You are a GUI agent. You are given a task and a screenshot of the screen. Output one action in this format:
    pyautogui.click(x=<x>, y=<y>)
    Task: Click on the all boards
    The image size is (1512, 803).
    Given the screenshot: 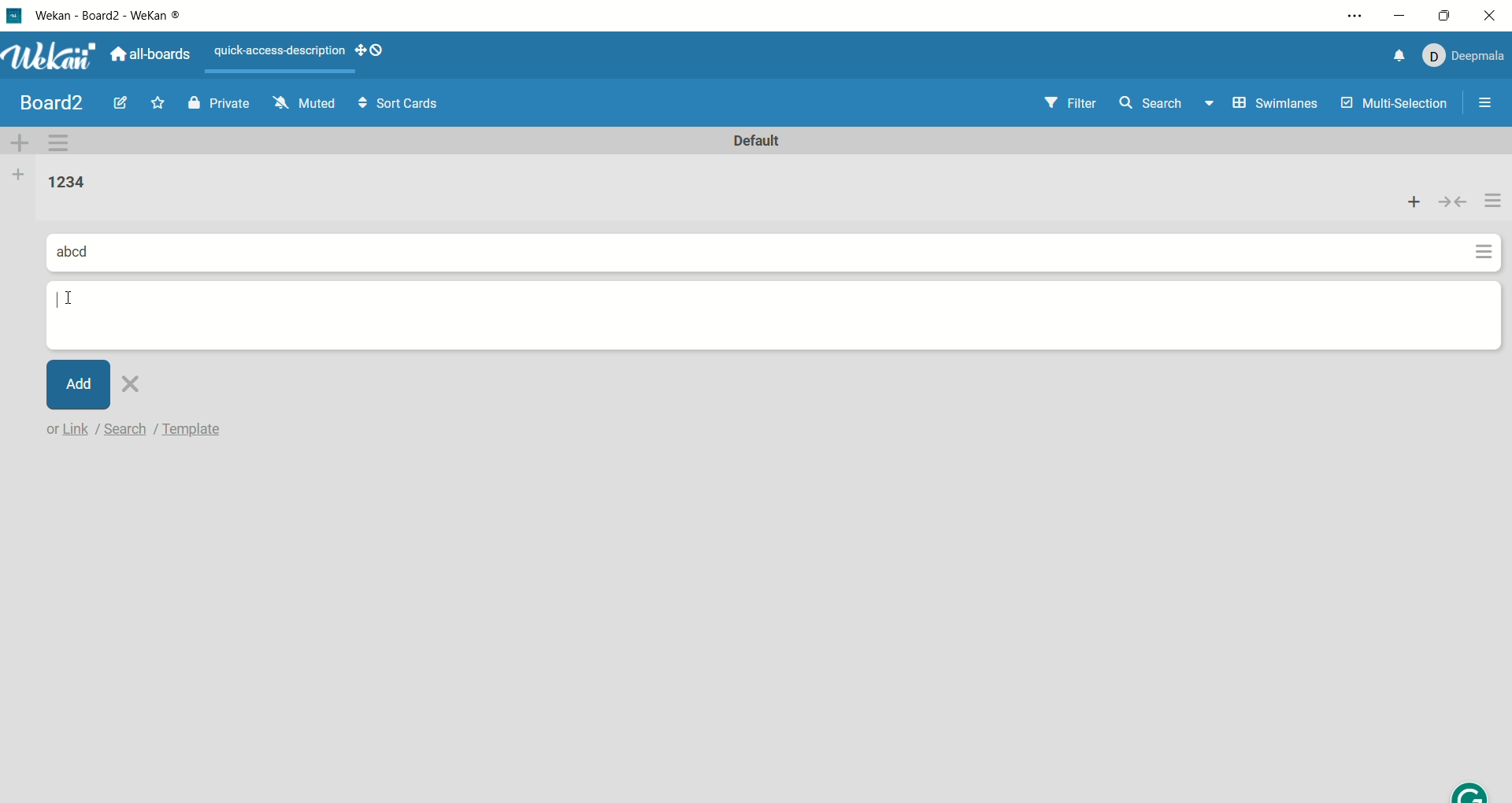 What is the action you would take?
    pyautogui.click(x=154, y=55)
    